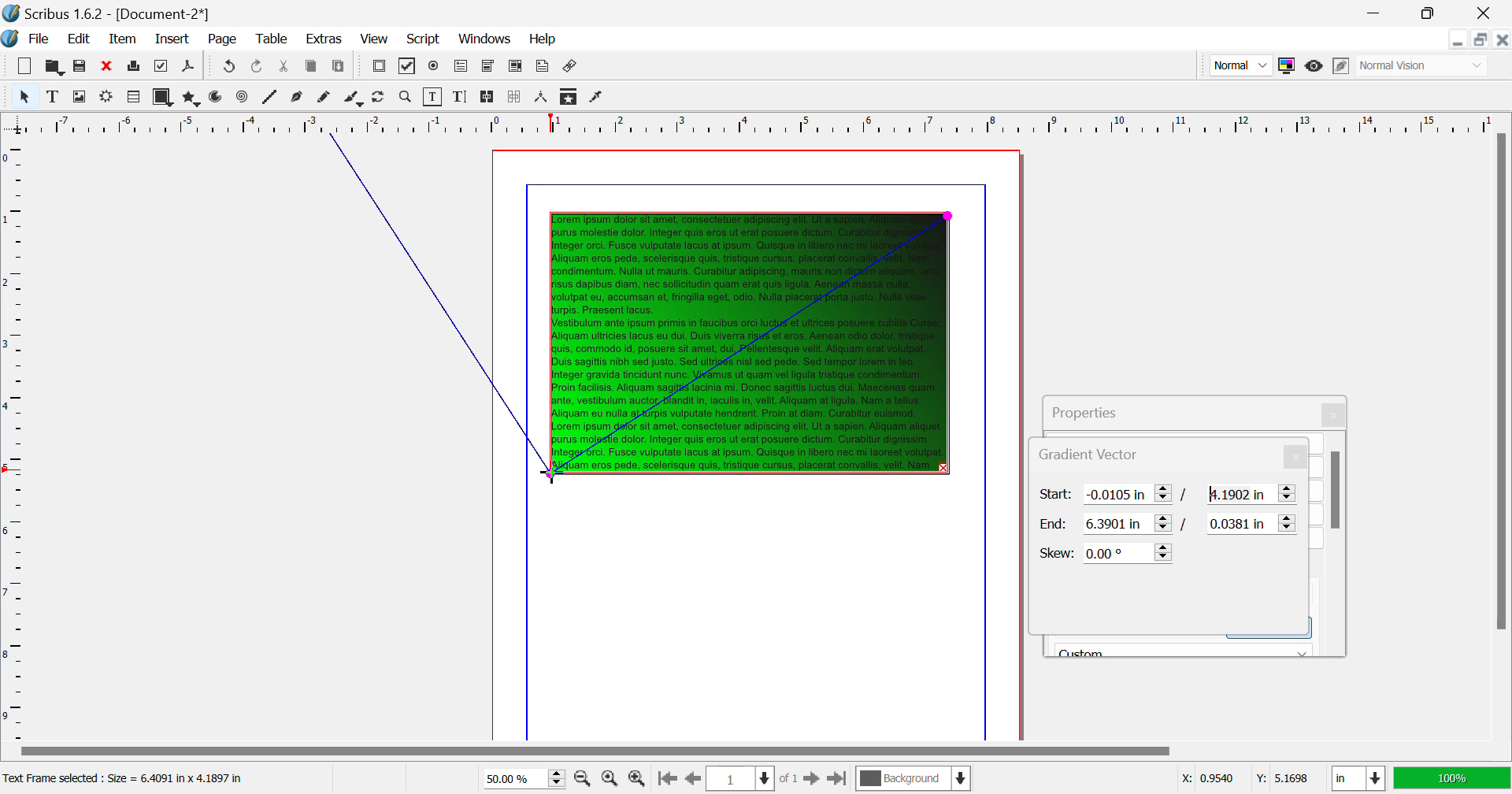 This screenshot has width=1512, height=794. I want to click on Edit, so click(76, 39).